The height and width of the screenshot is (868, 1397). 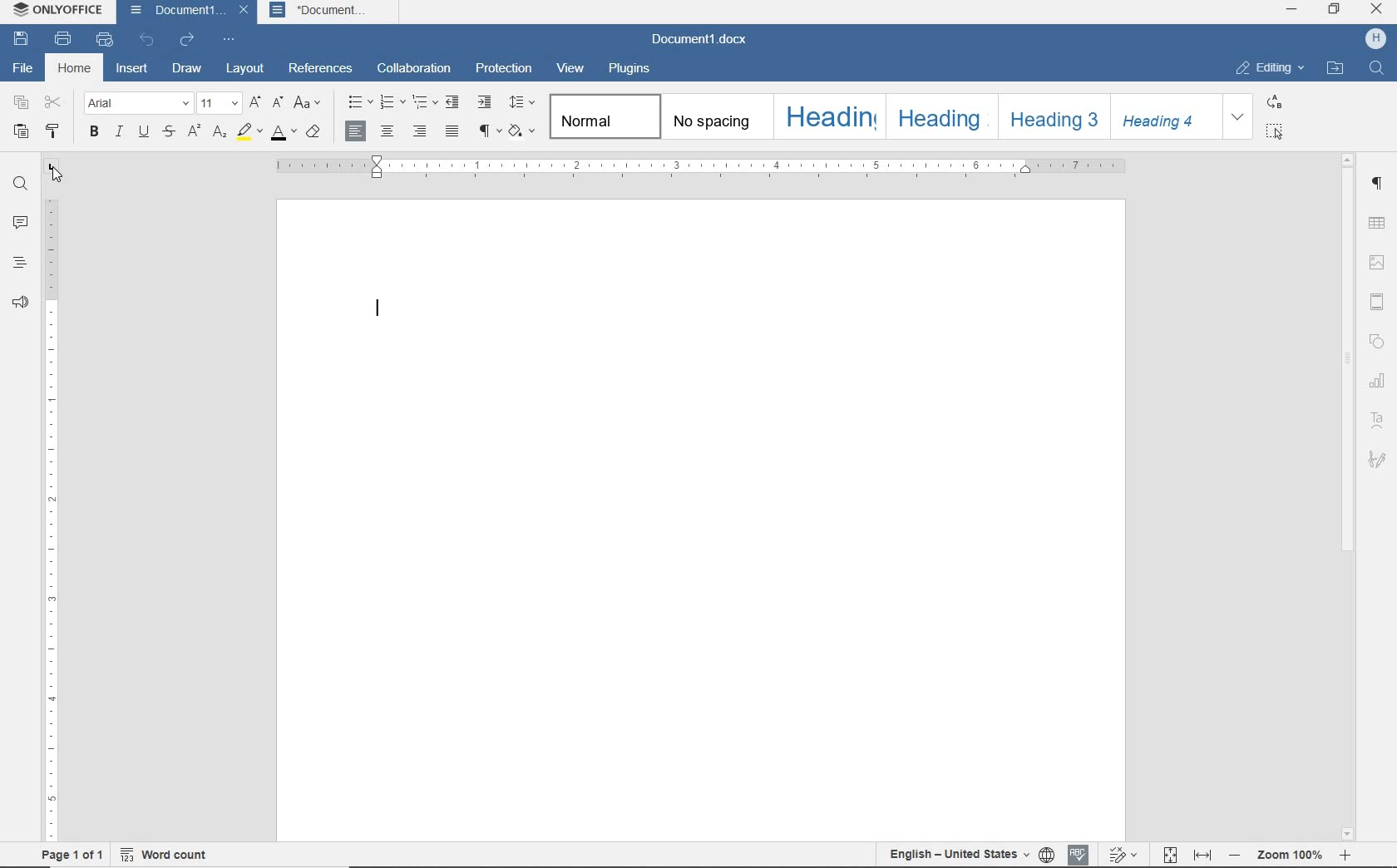 What do you see at coordinates (1378, 422) in the screenshot?
I see `TEXT ART` at bounding box center [1378, 422].